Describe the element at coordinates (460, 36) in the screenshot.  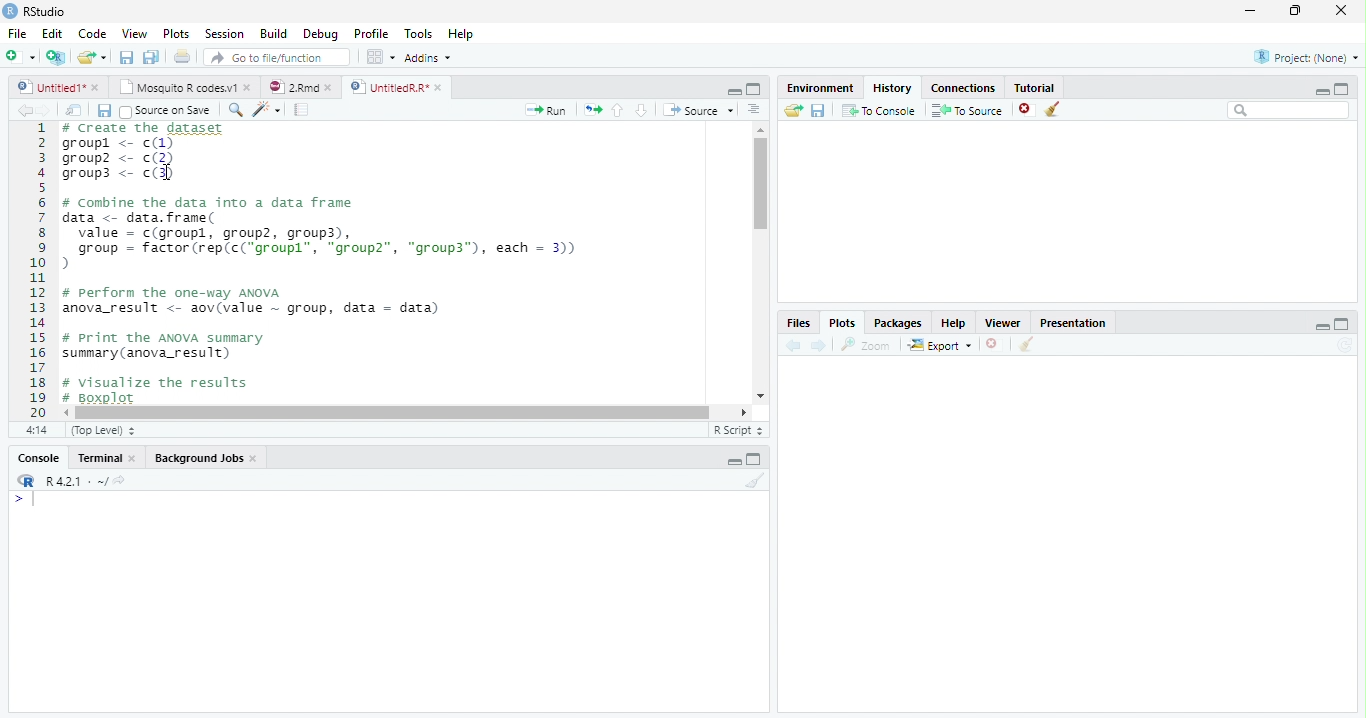
I see `Help` at that location.